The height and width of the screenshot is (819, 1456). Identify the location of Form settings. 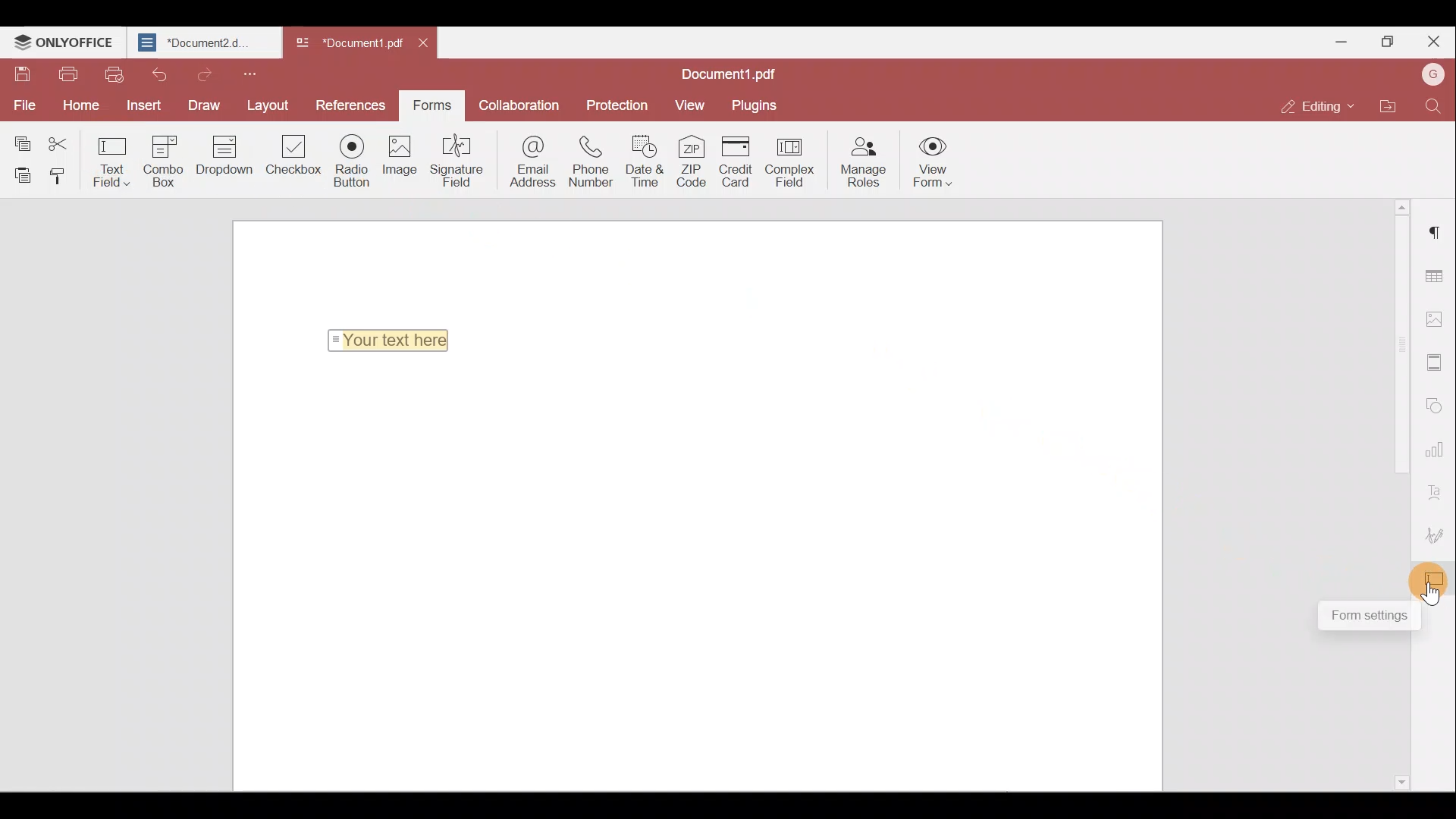
(1437, 577).